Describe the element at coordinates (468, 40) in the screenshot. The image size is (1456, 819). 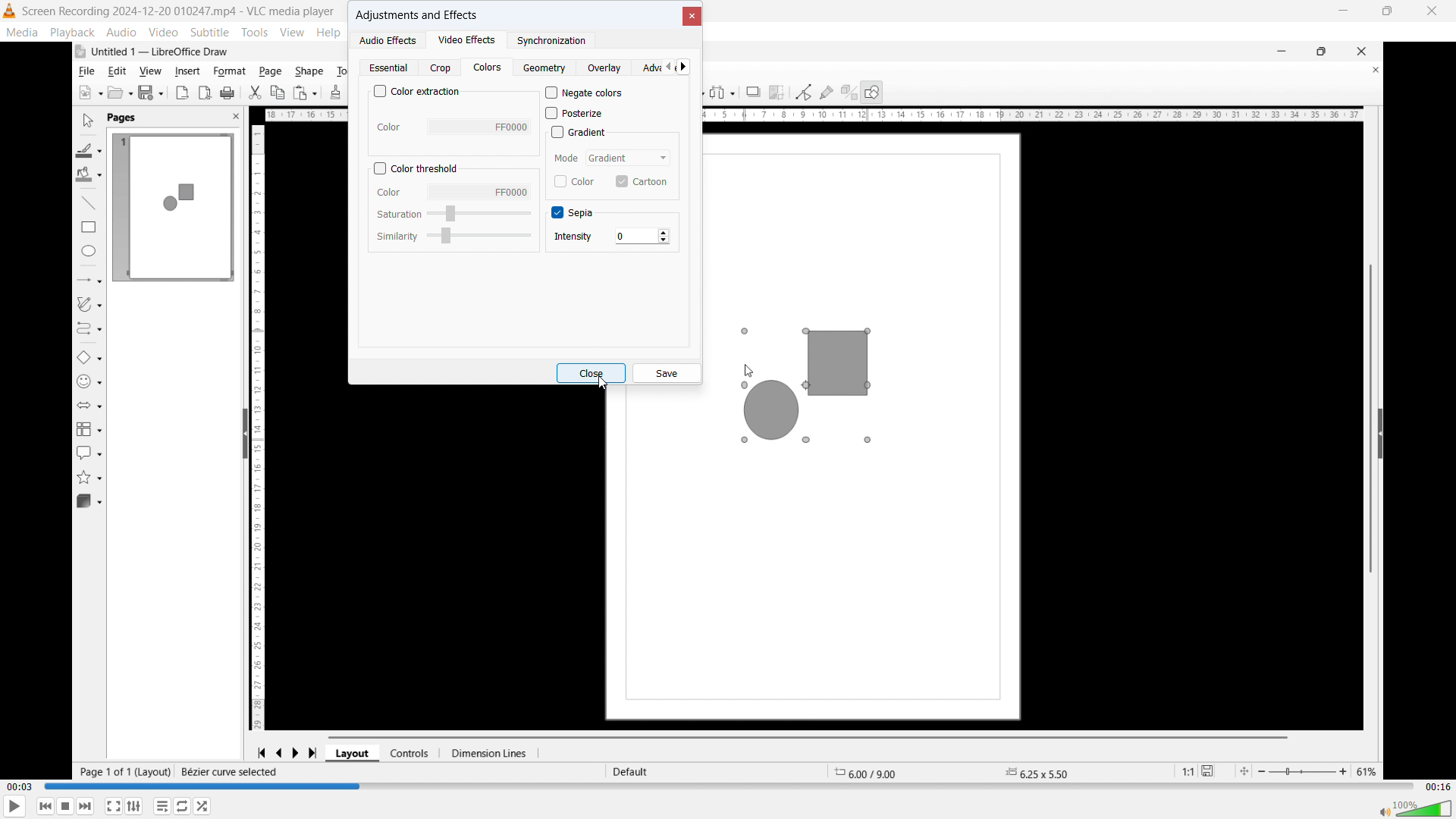
I see `Video effects ` at that location.